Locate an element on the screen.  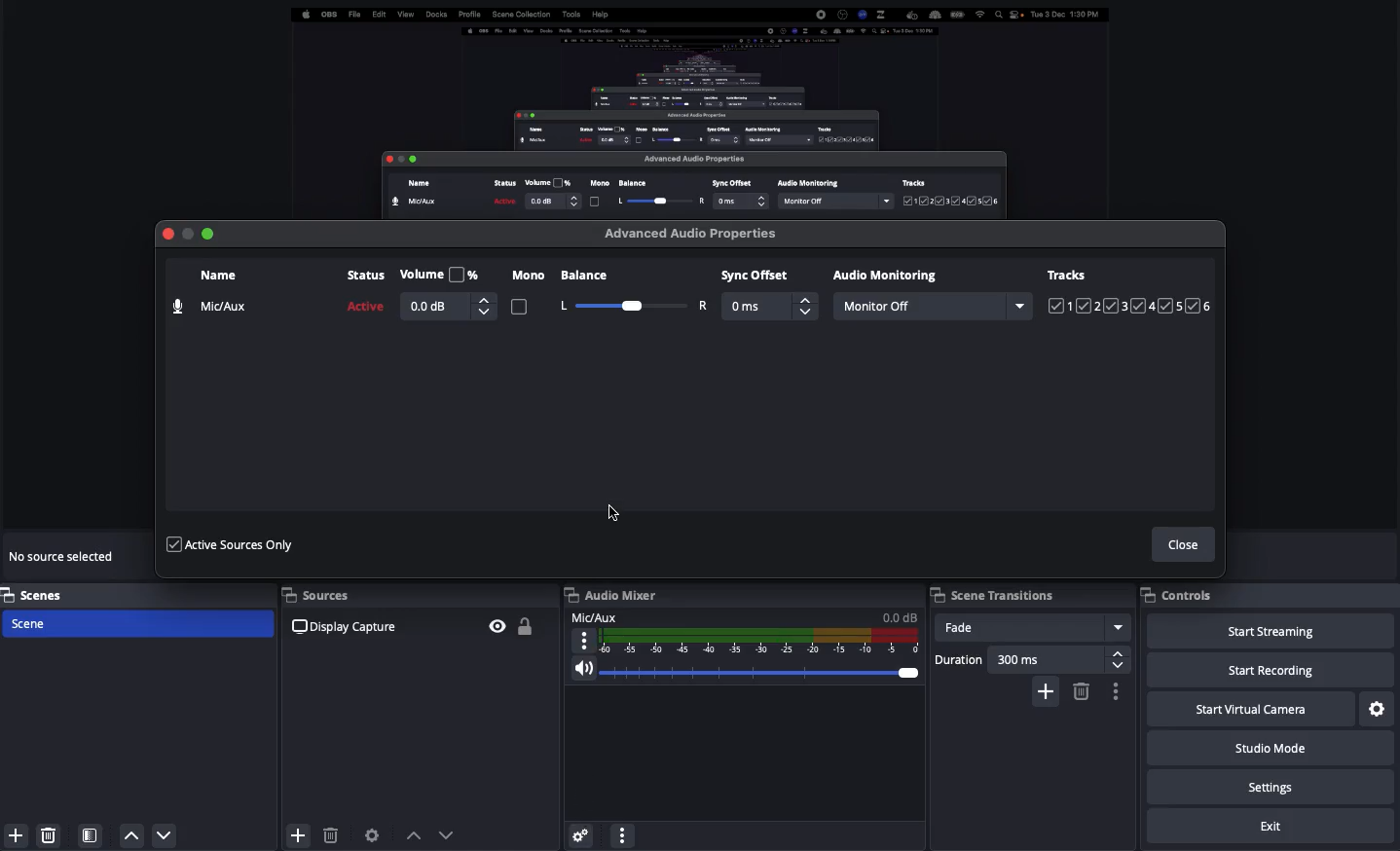
Fade is located at coordinates (1034, 629).